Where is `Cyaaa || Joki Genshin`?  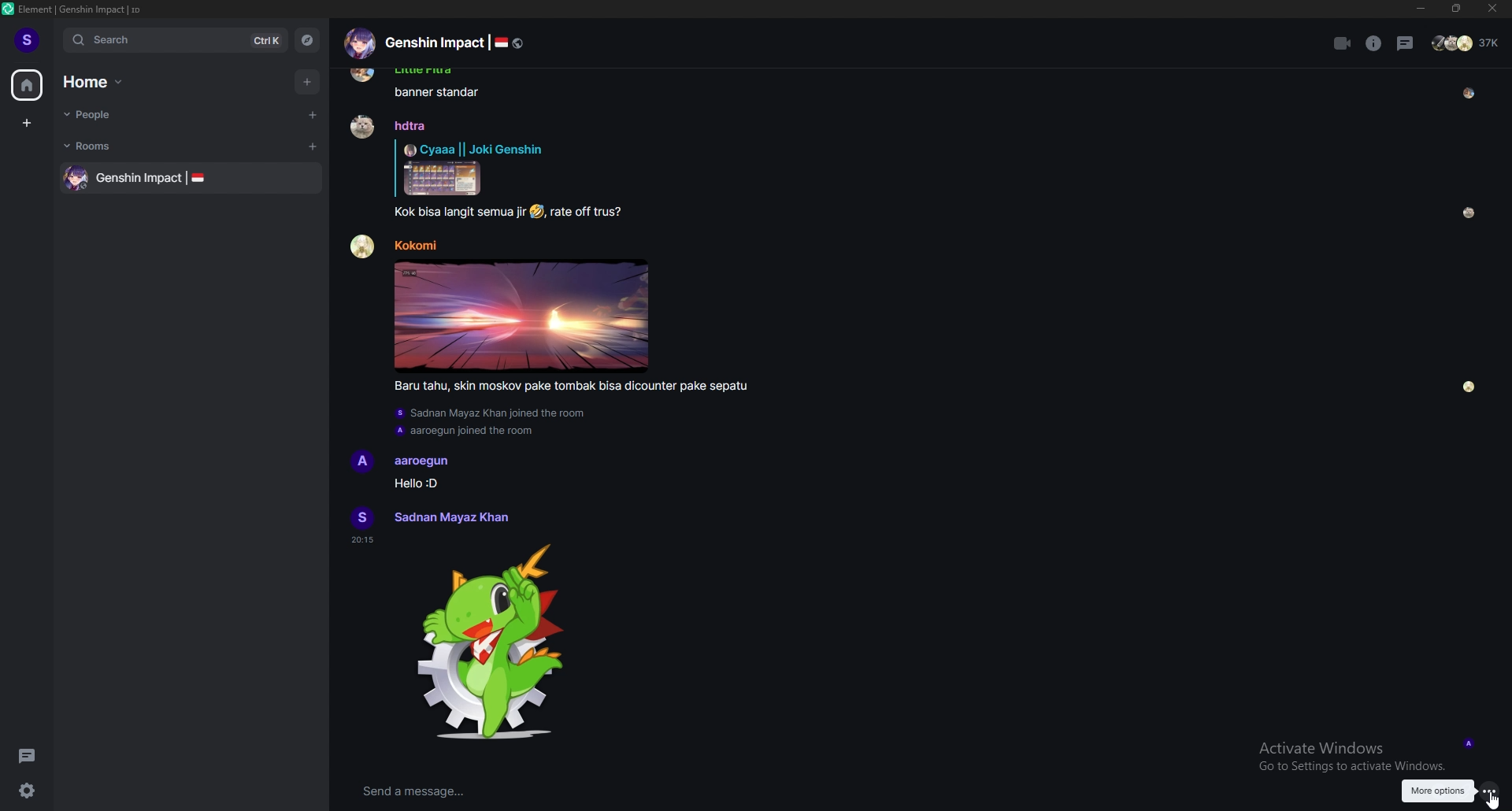 Cyaaa || Joki Genshin is located at coordinates (473, 149).